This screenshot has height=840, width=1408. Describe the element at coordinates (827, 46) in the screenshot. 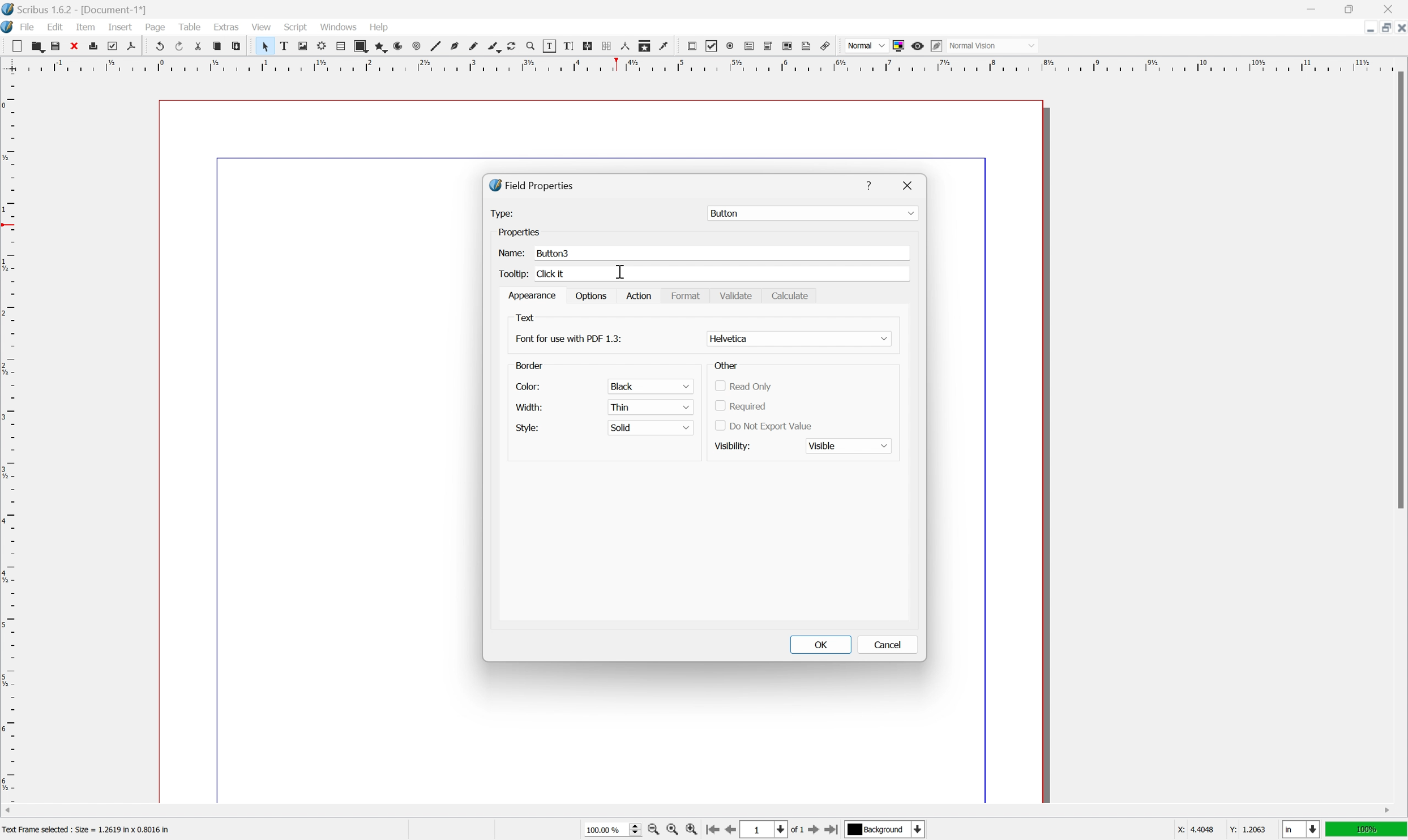

I see `link annotation` at that location.